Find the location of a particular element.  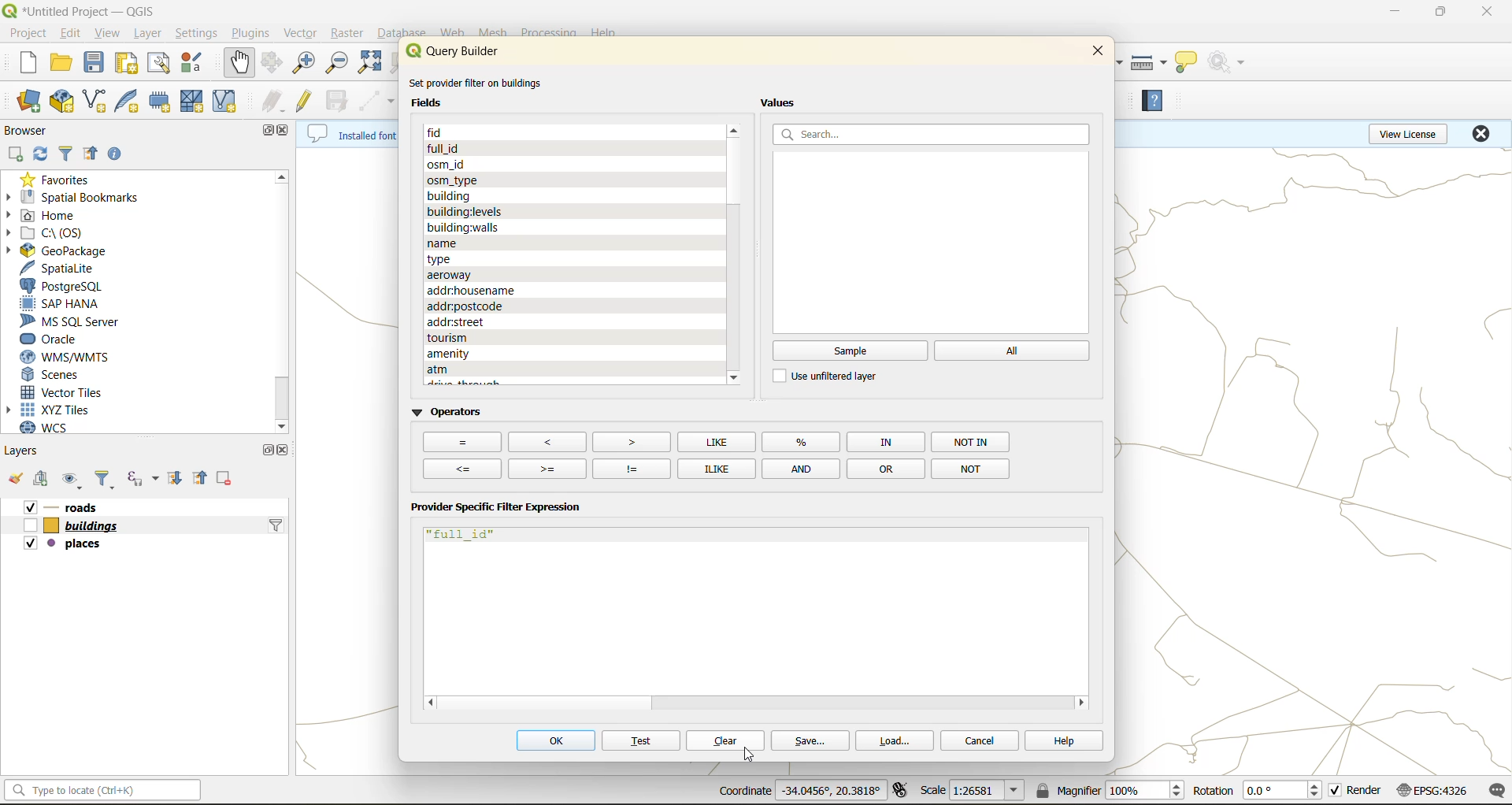

layers is located at coordinates (68, 546).